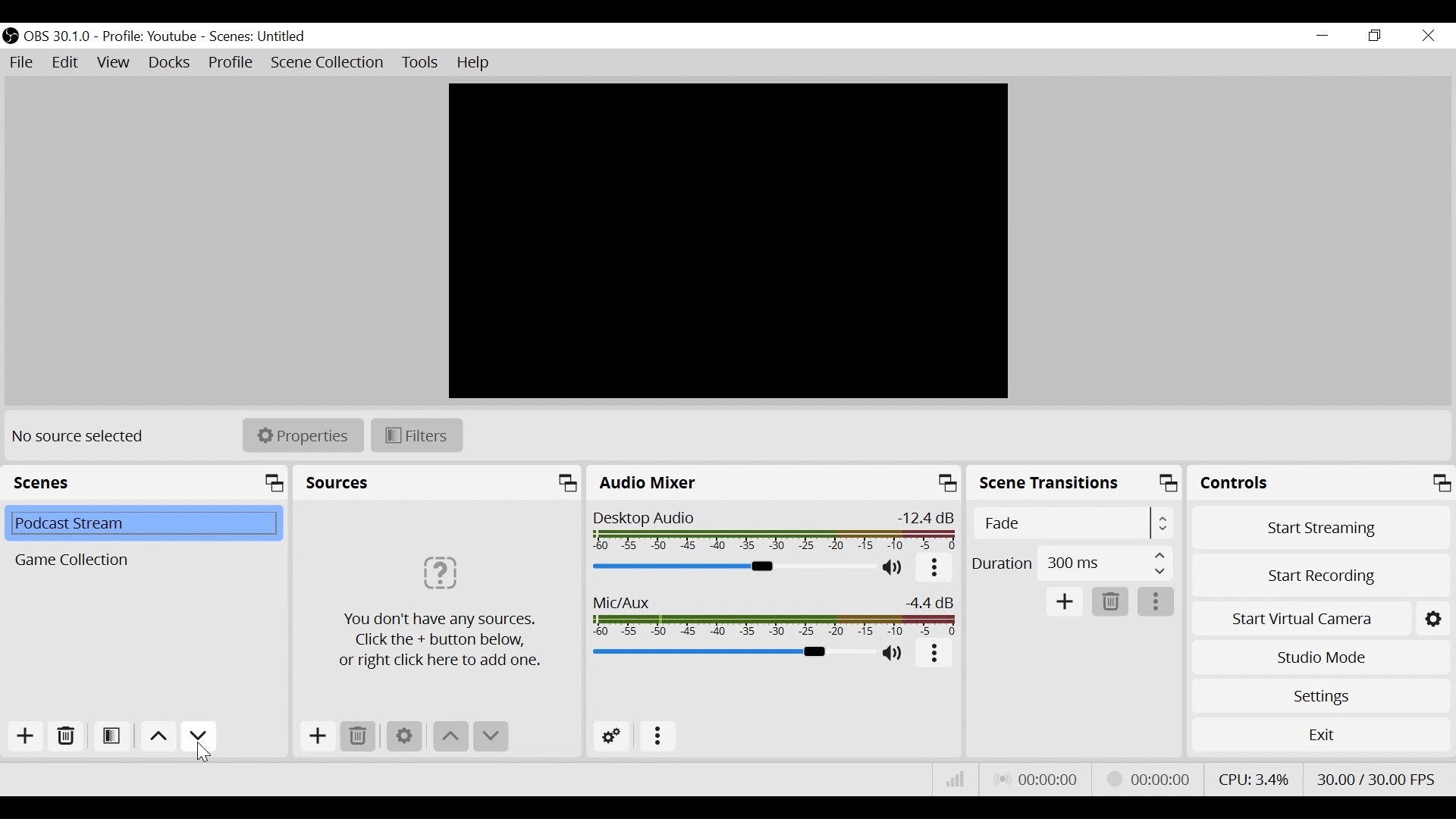  I want to click on Controls, so click(1322, 482).